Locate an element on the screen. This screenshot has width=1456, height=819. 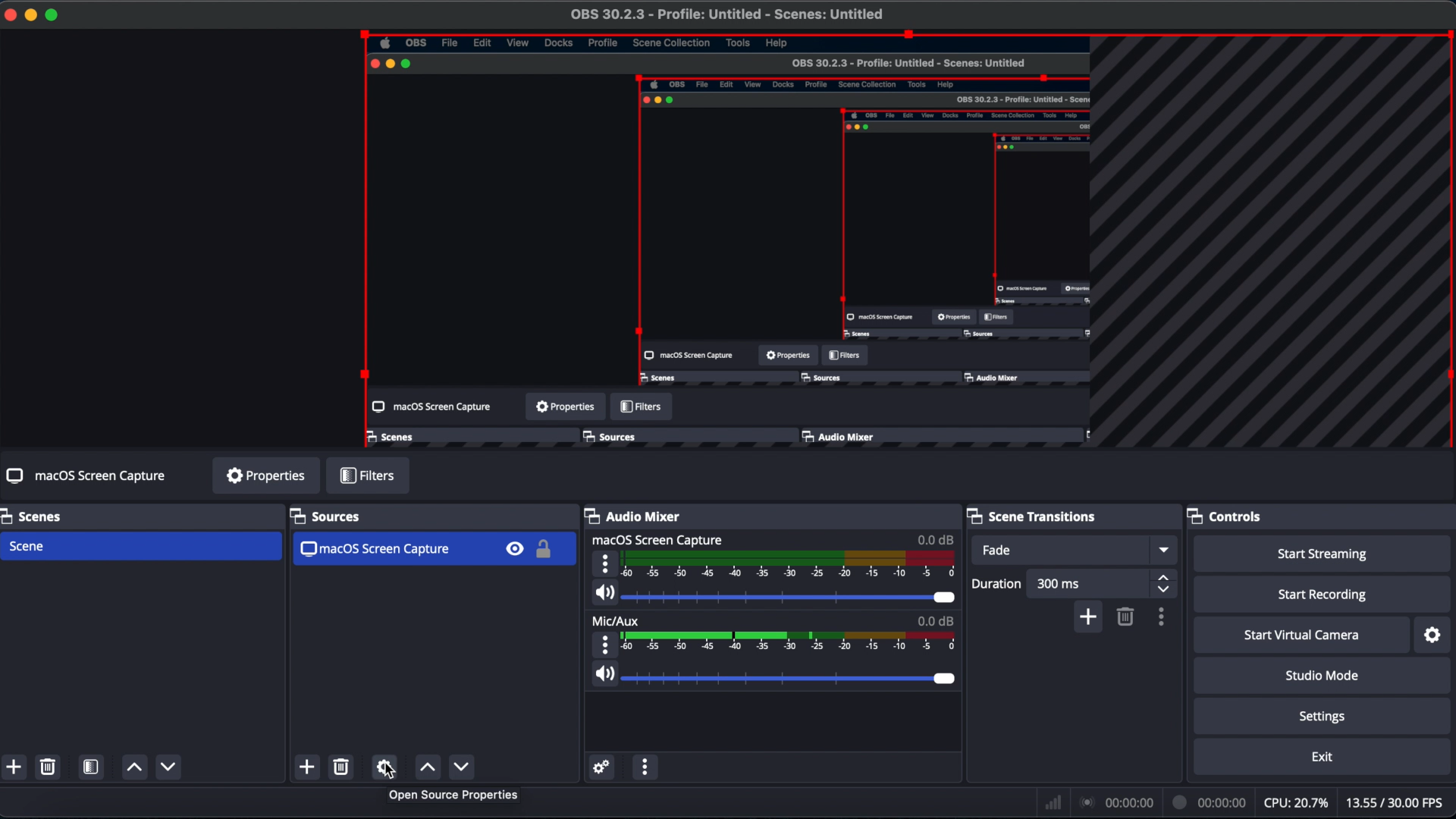
CPU usage is located at coordinates (1297, 802).